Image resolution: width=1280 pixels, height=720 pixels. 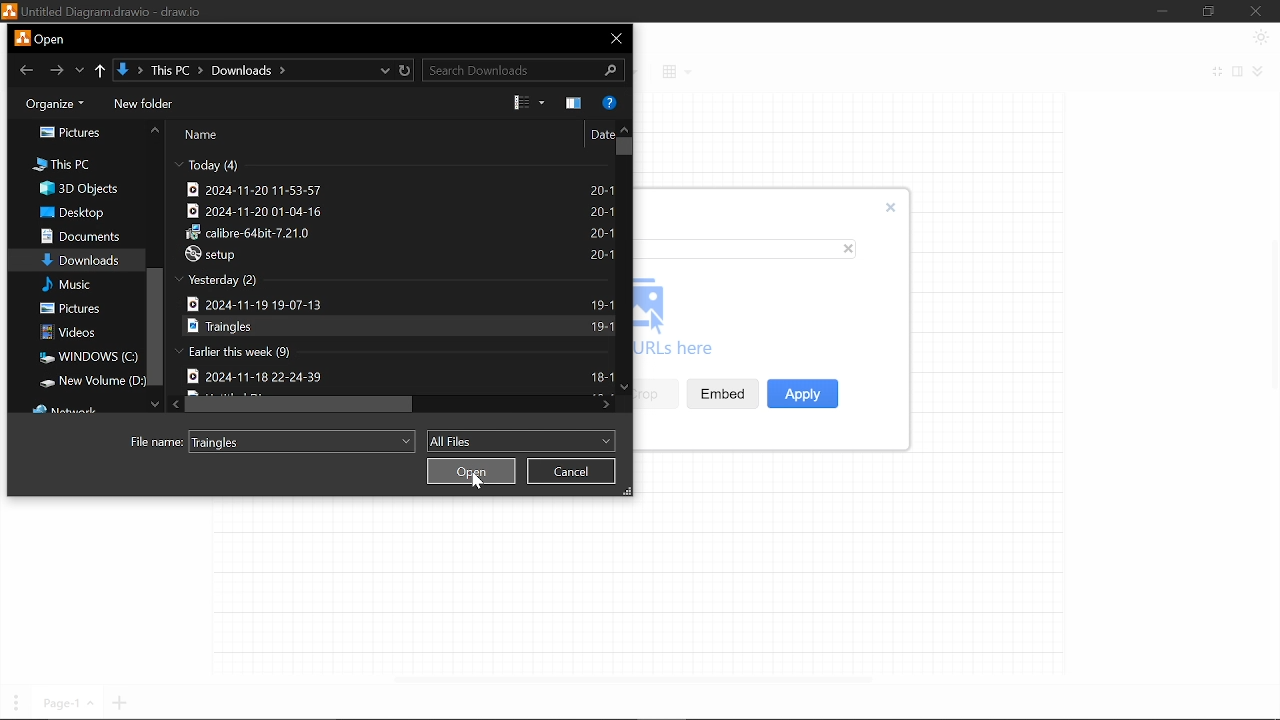 I want to click on File name, so click(x=273, y=442).